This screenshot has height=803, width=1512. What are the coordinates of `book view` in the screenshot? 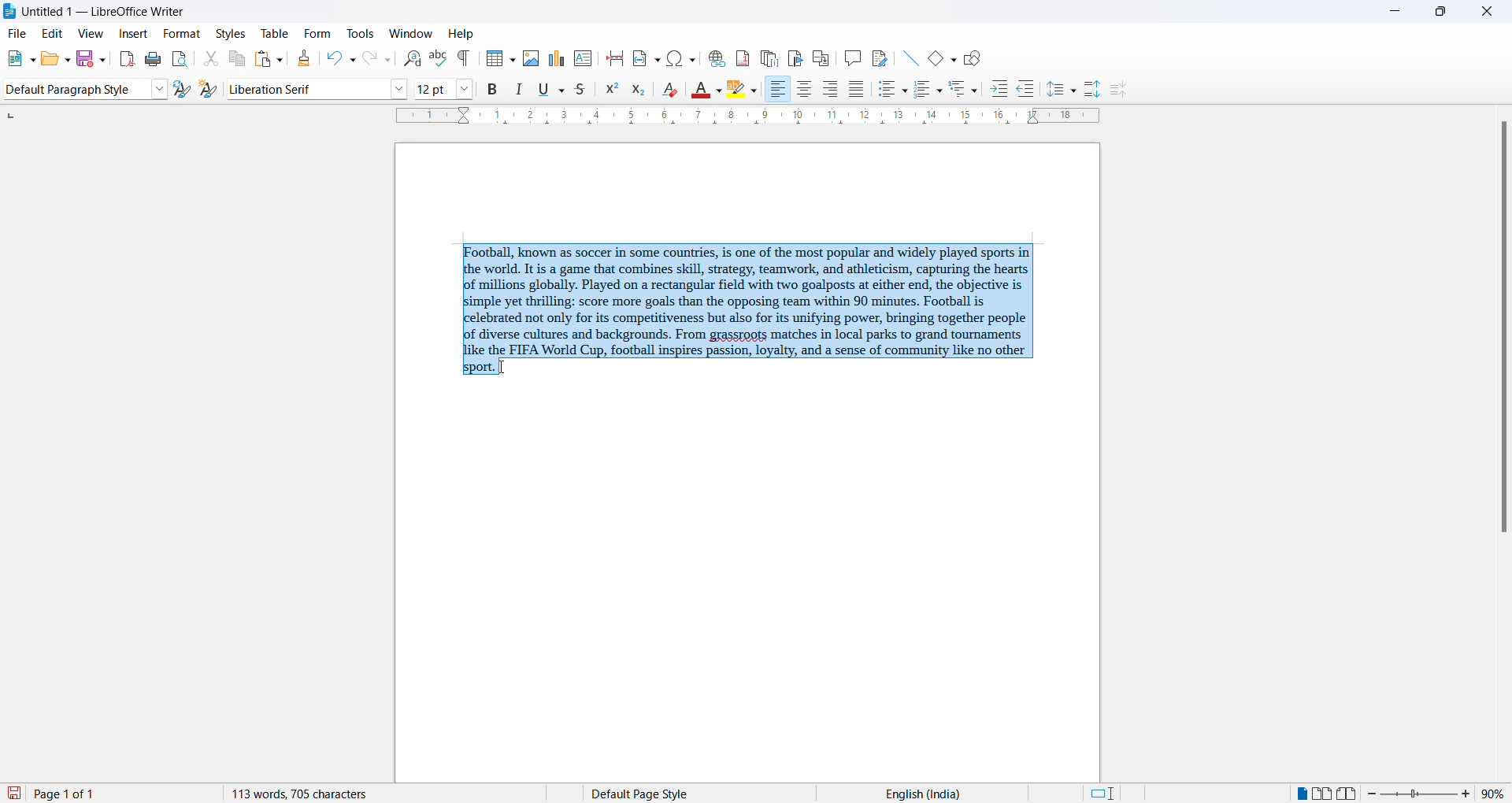 It's located at (1350, 794).